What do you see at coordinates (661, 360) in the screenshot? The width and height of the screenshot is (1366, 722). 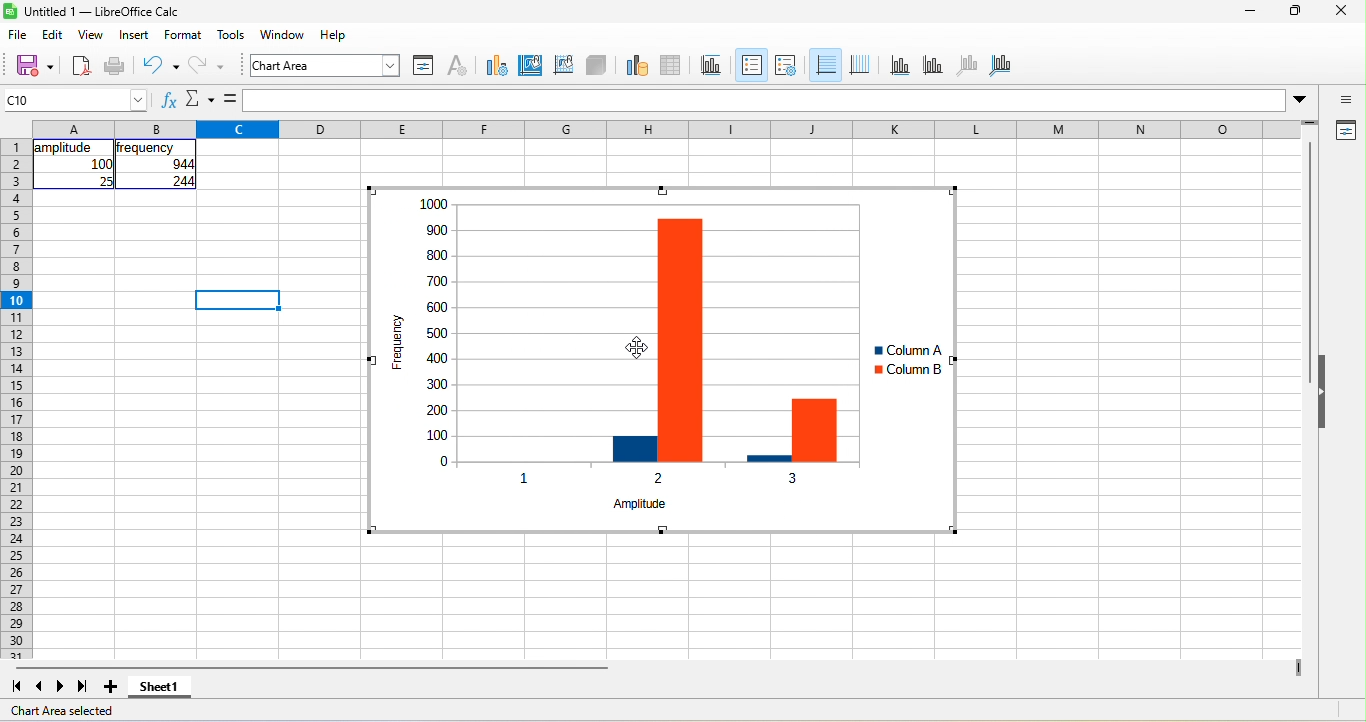 I see `Column chart with X and Y axis titled` at bounding box center [661, 360].